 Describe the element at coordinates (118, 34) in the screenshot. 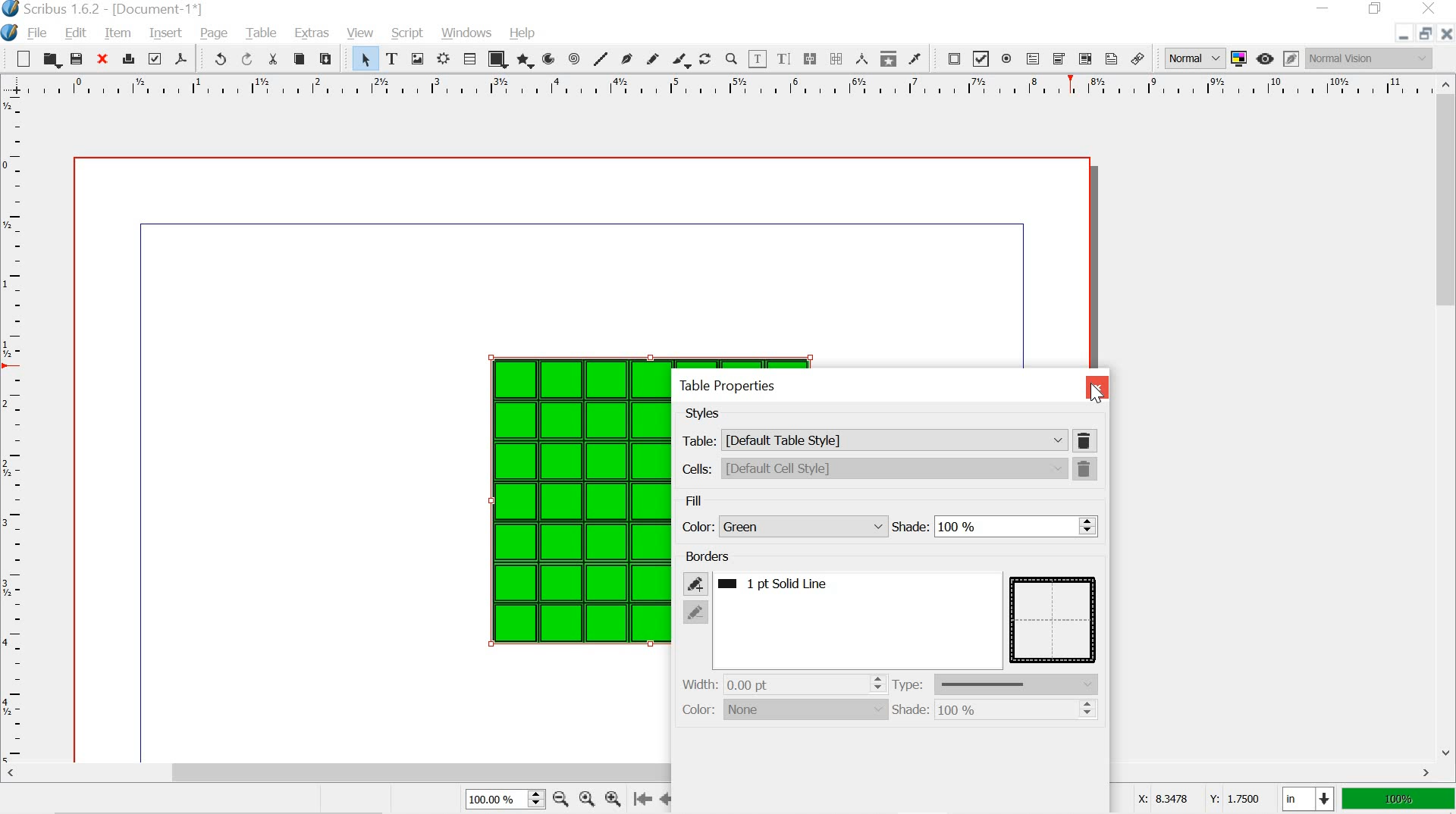

I see `item` at that location.